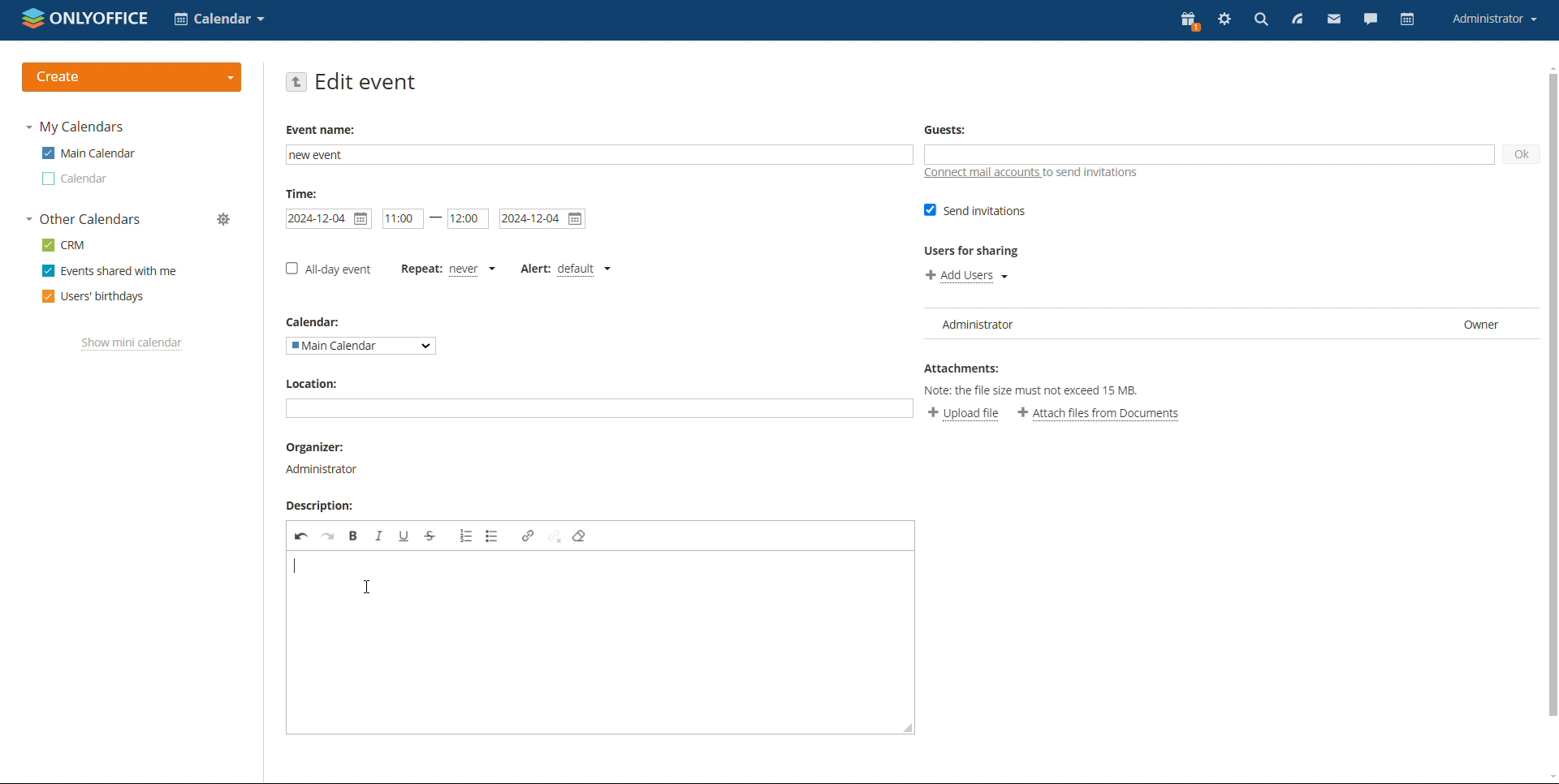 Image resolution: width=1559 pixels, height=784 pixels. Describe the element at coordinates (1100, 415) in the screenshot. I see `attach file from documents` at that location.